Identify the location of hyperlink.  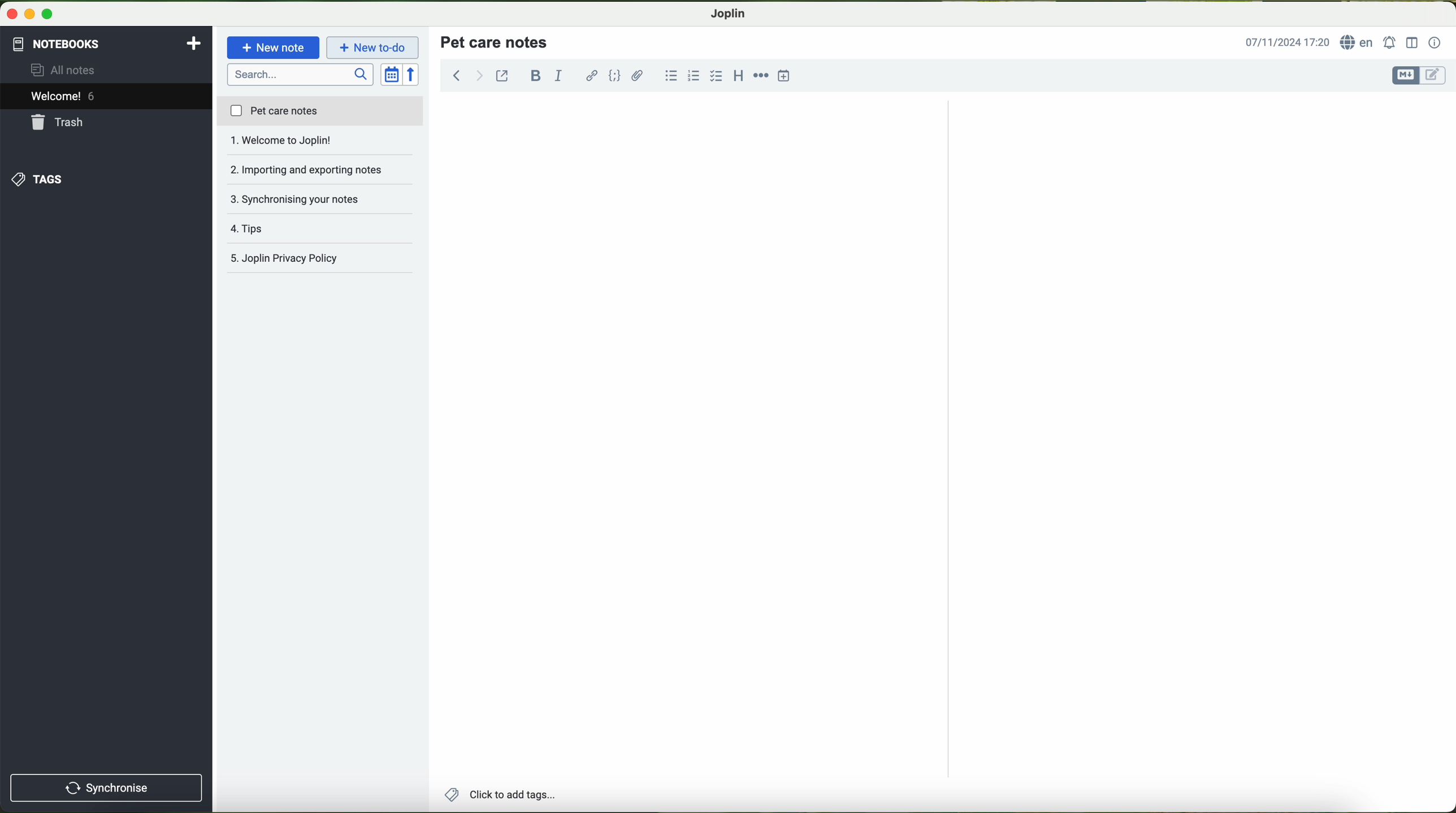
(593, 77).